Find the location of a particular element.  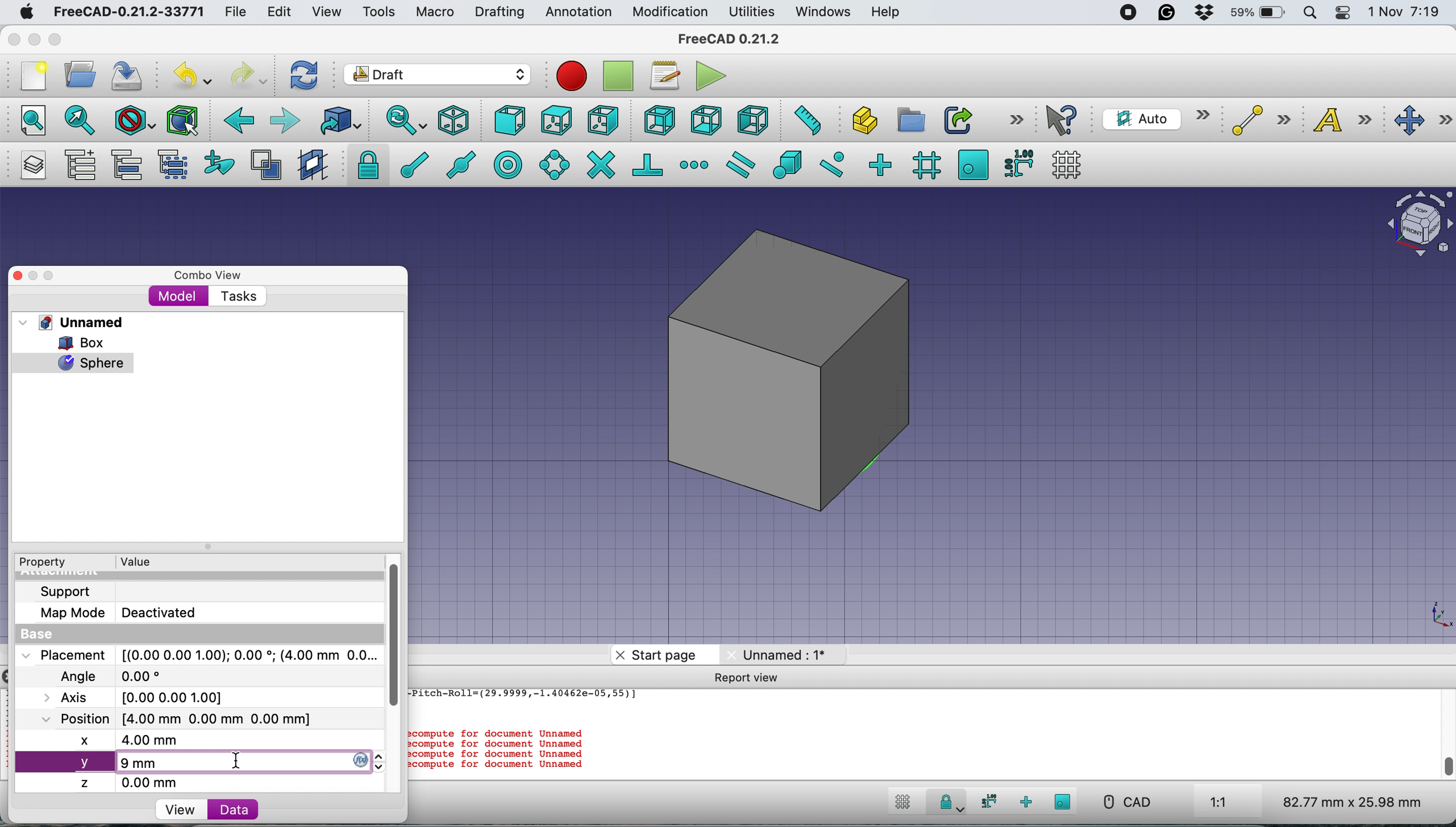

date and time is located at coordinates (1405, 12).